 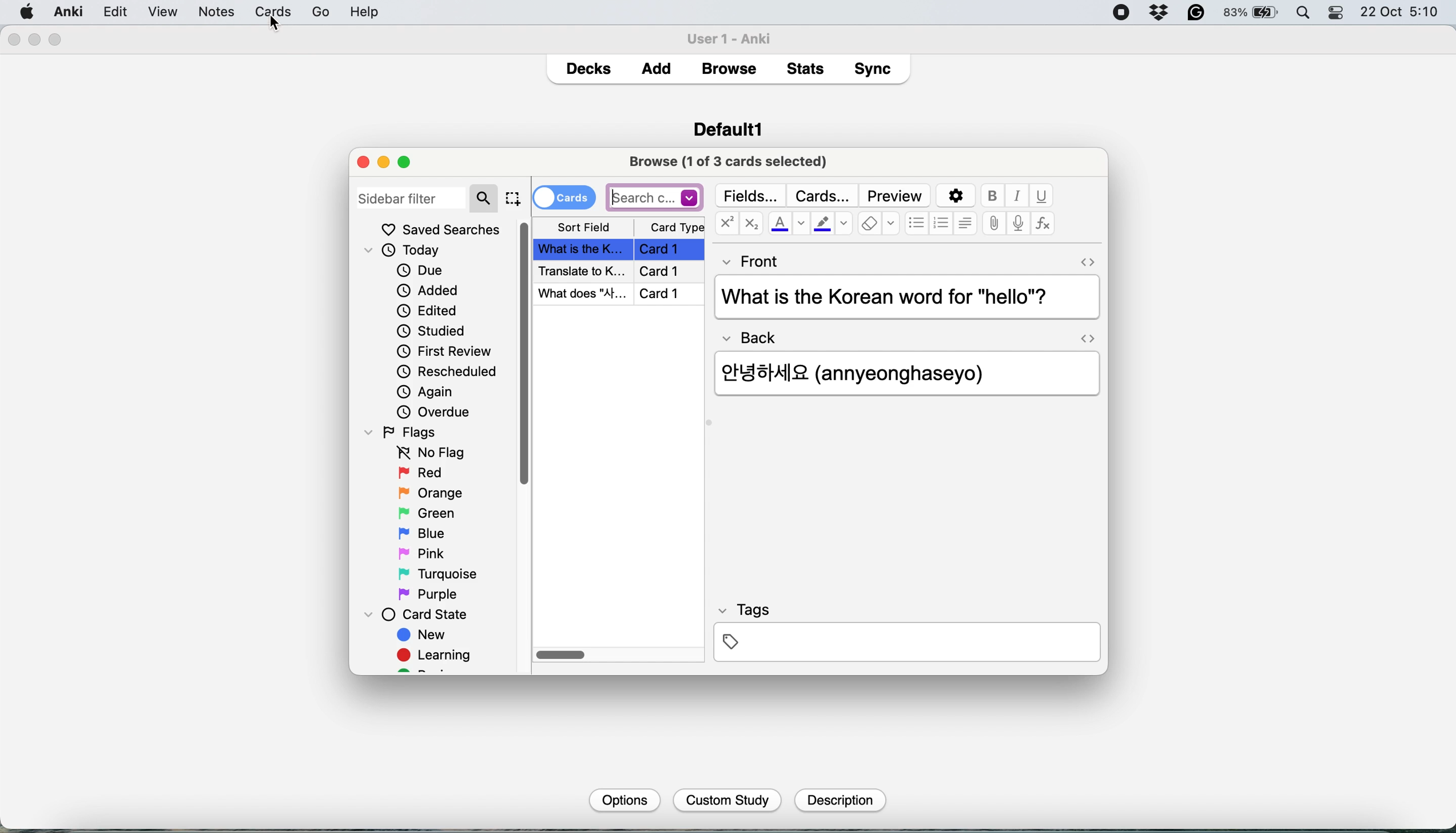 I want to click on Front, so click(x=751, y=259).